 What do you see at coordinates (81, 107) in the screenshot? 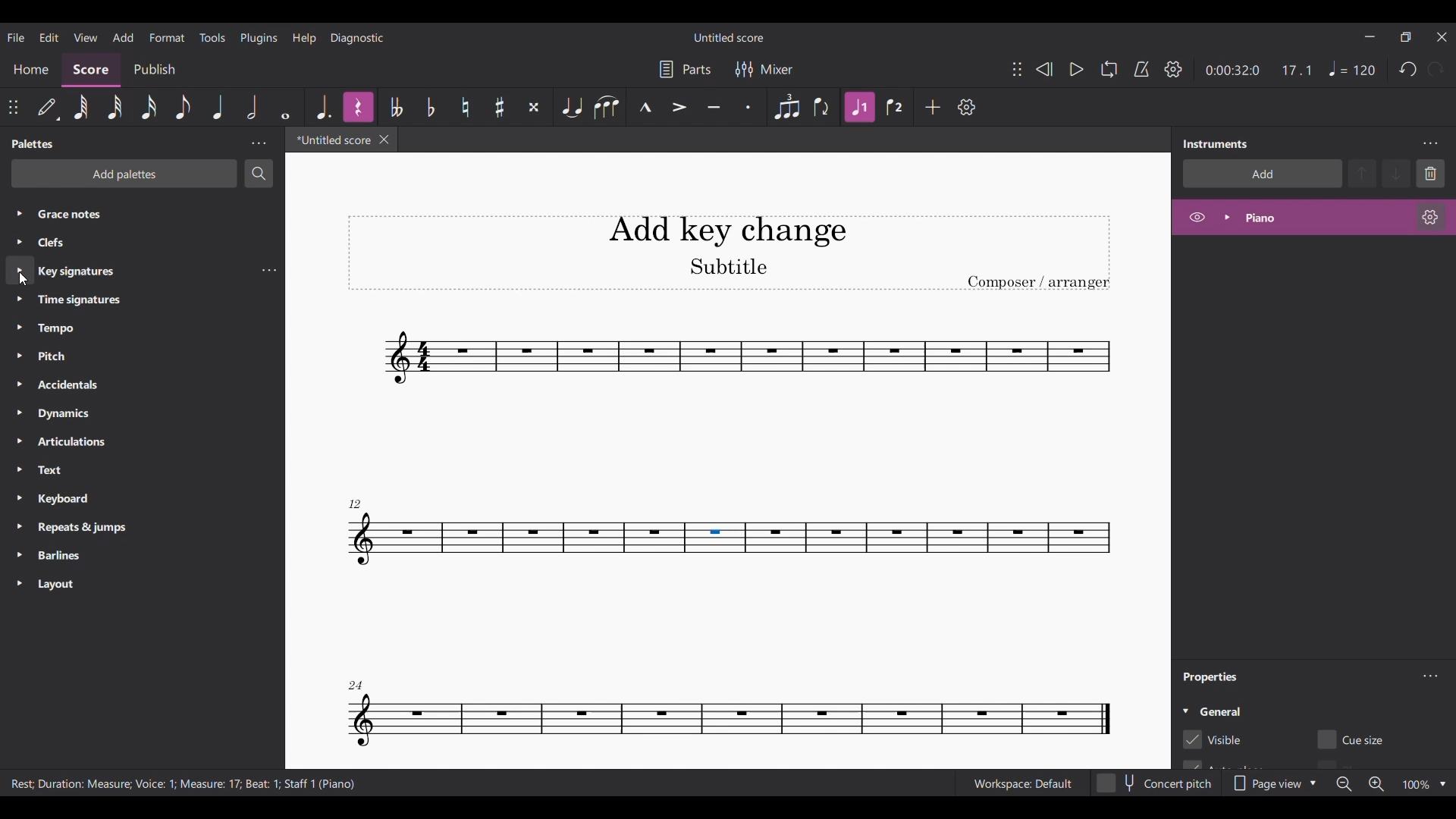
I see `64th note` at bounding box center [81, 107].